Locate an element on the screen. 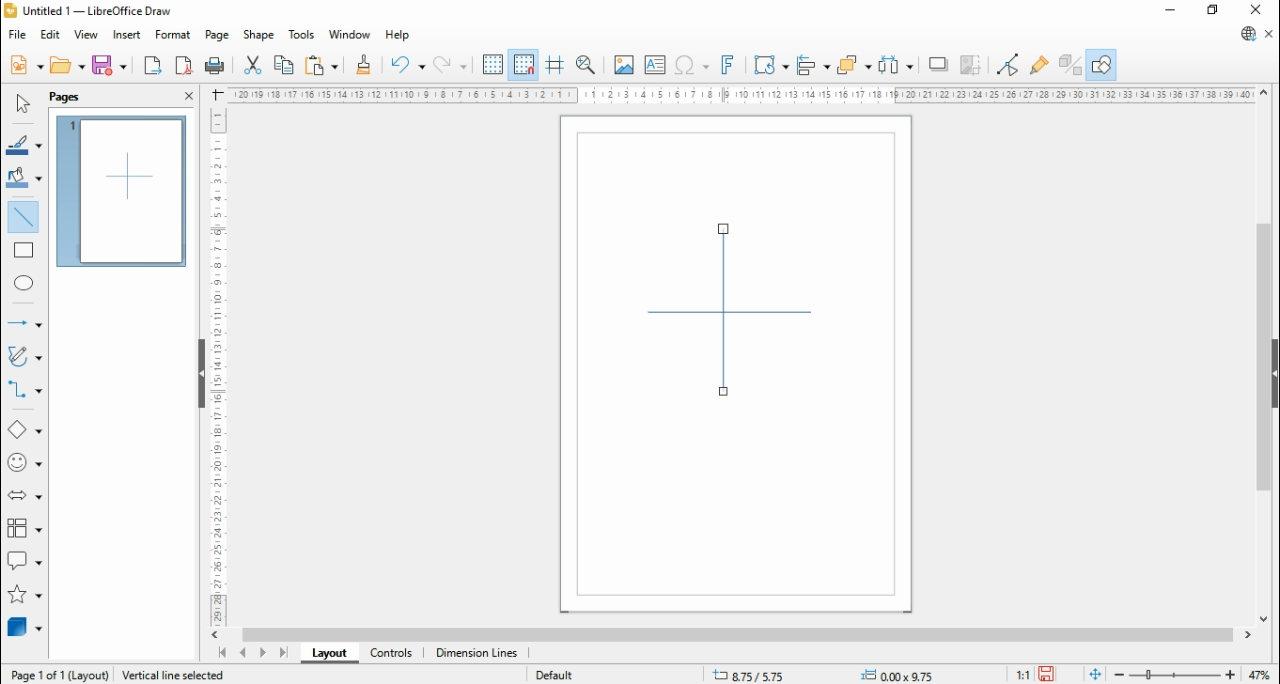 The image size is (1280, 684). vertical line selected is located at coordinates (181, 674).